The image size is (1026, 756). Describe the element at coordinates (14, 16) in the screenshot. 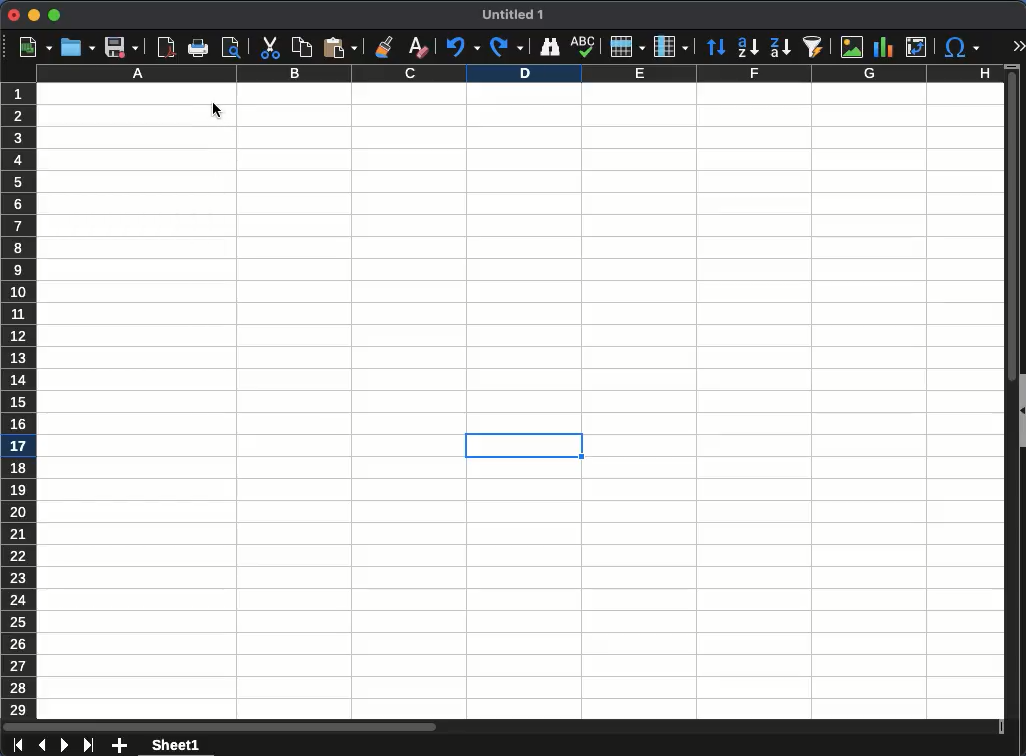

I see `close` at that location.